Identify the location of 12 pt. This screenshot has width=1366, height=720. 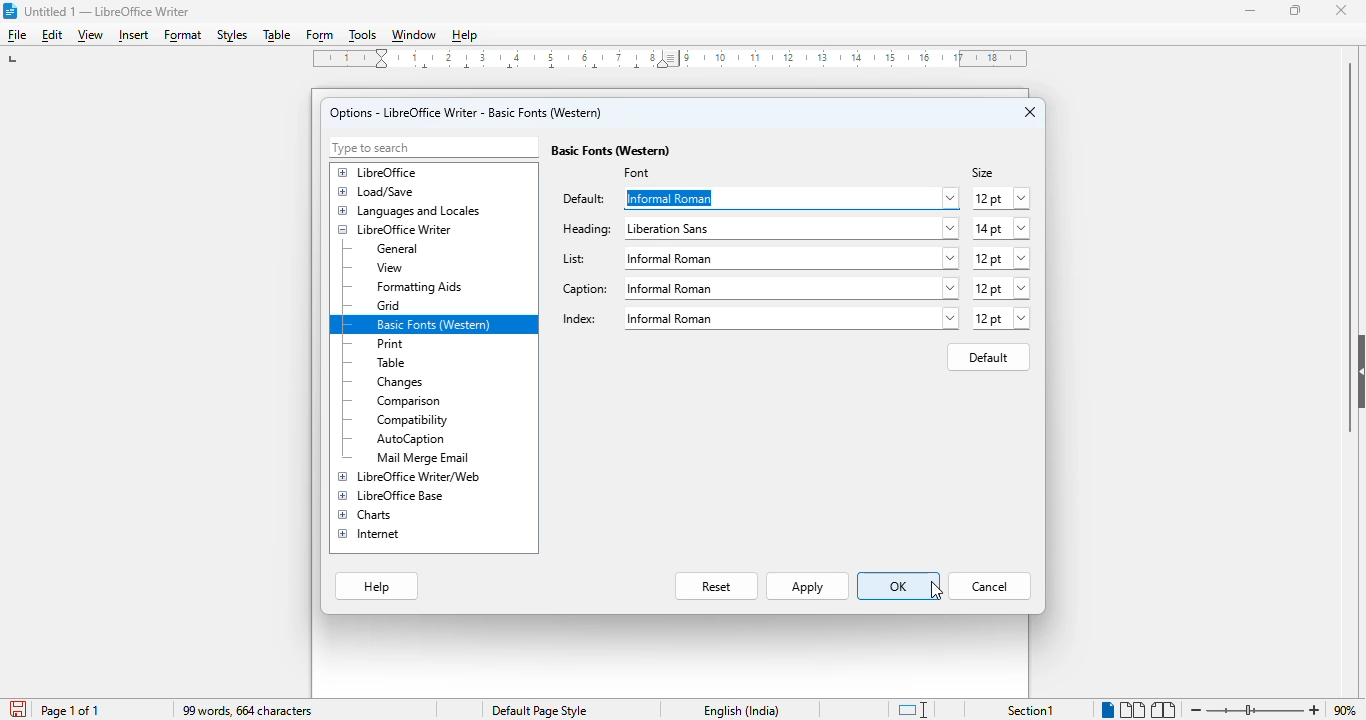
(1000, 289).